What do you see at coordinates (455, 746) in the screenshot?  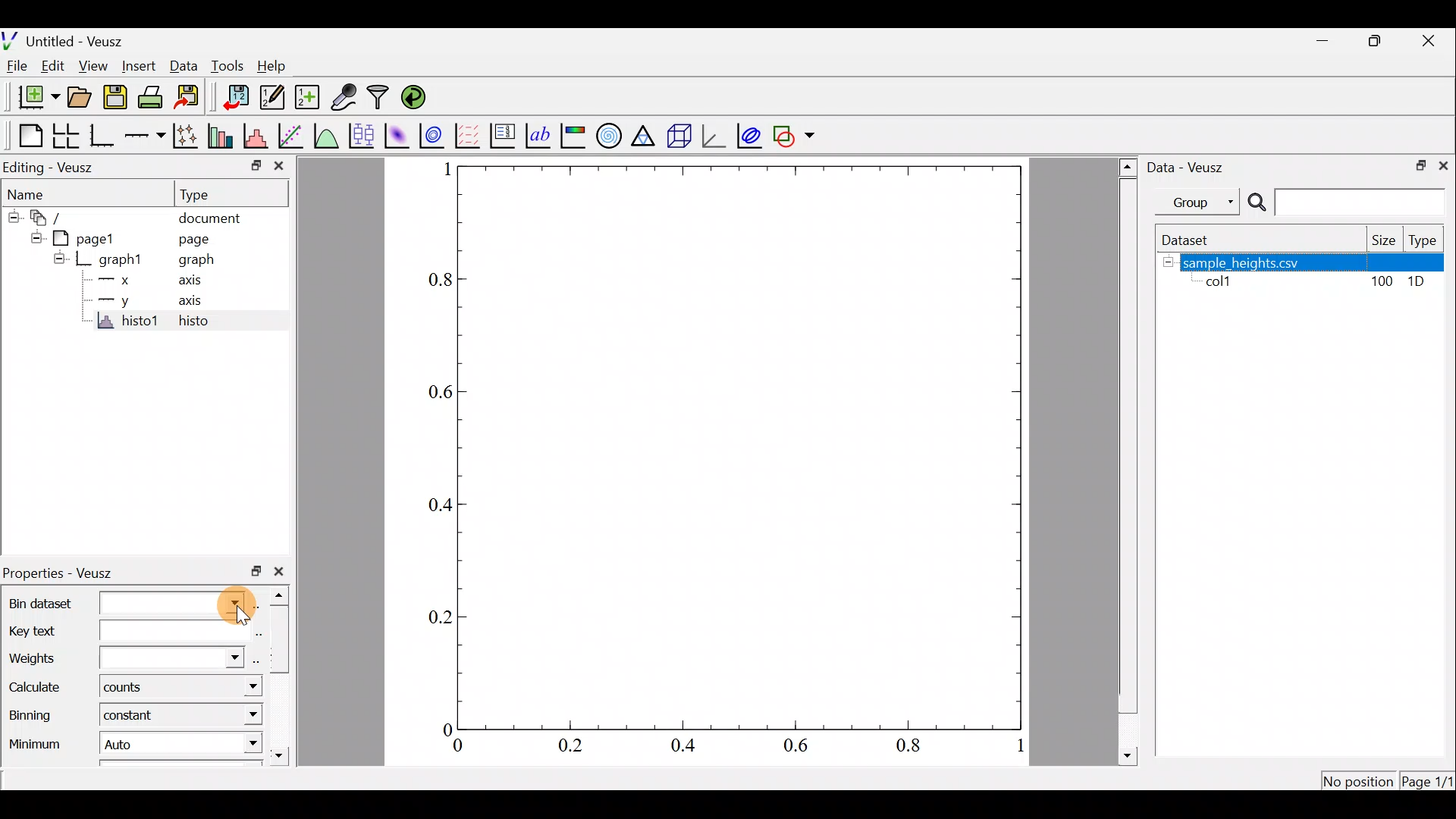 I see `0` at bounding box center [455, 746].